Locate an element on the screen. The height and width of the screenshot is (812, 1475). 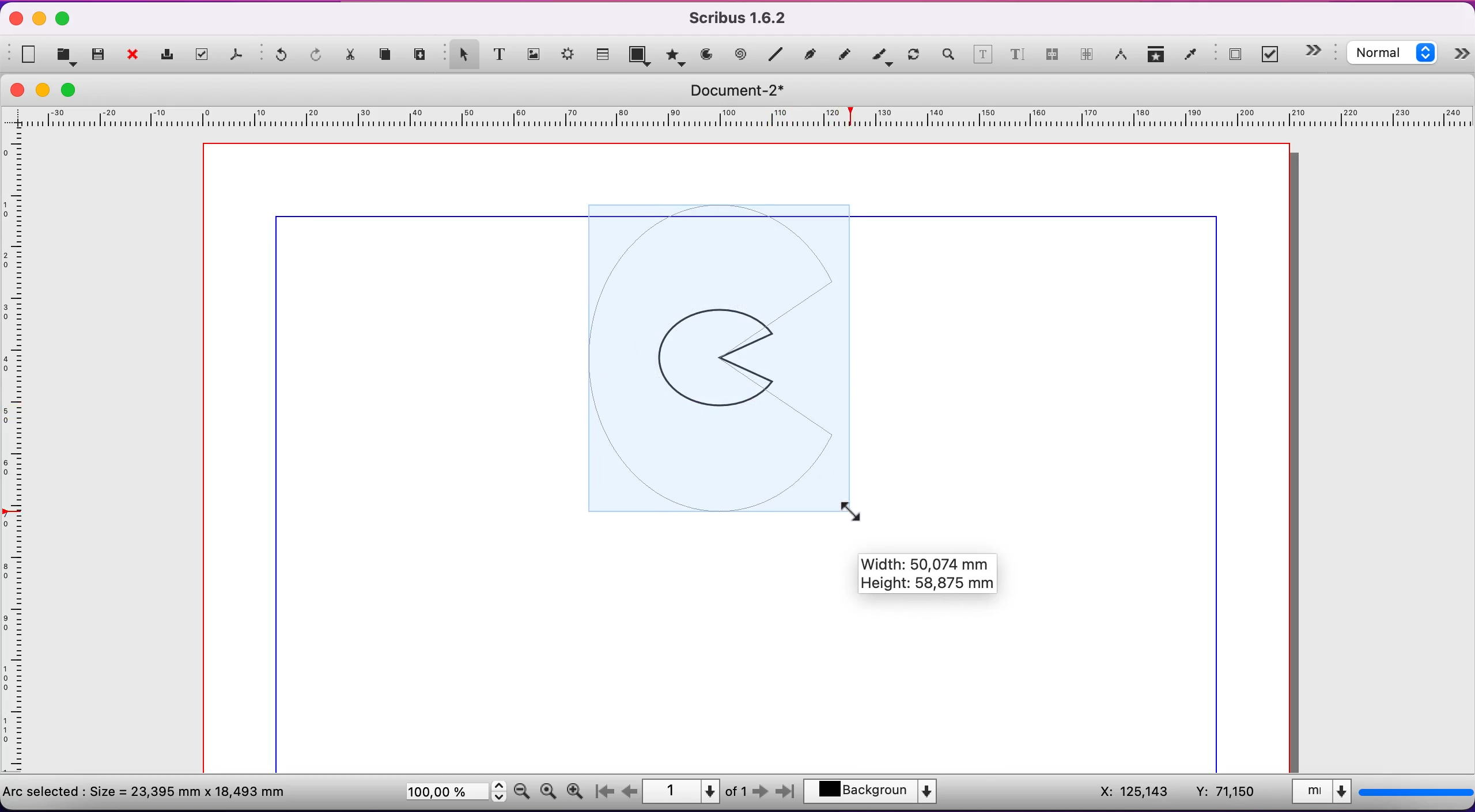
measurement selected is located at coordinates (1380, 794).